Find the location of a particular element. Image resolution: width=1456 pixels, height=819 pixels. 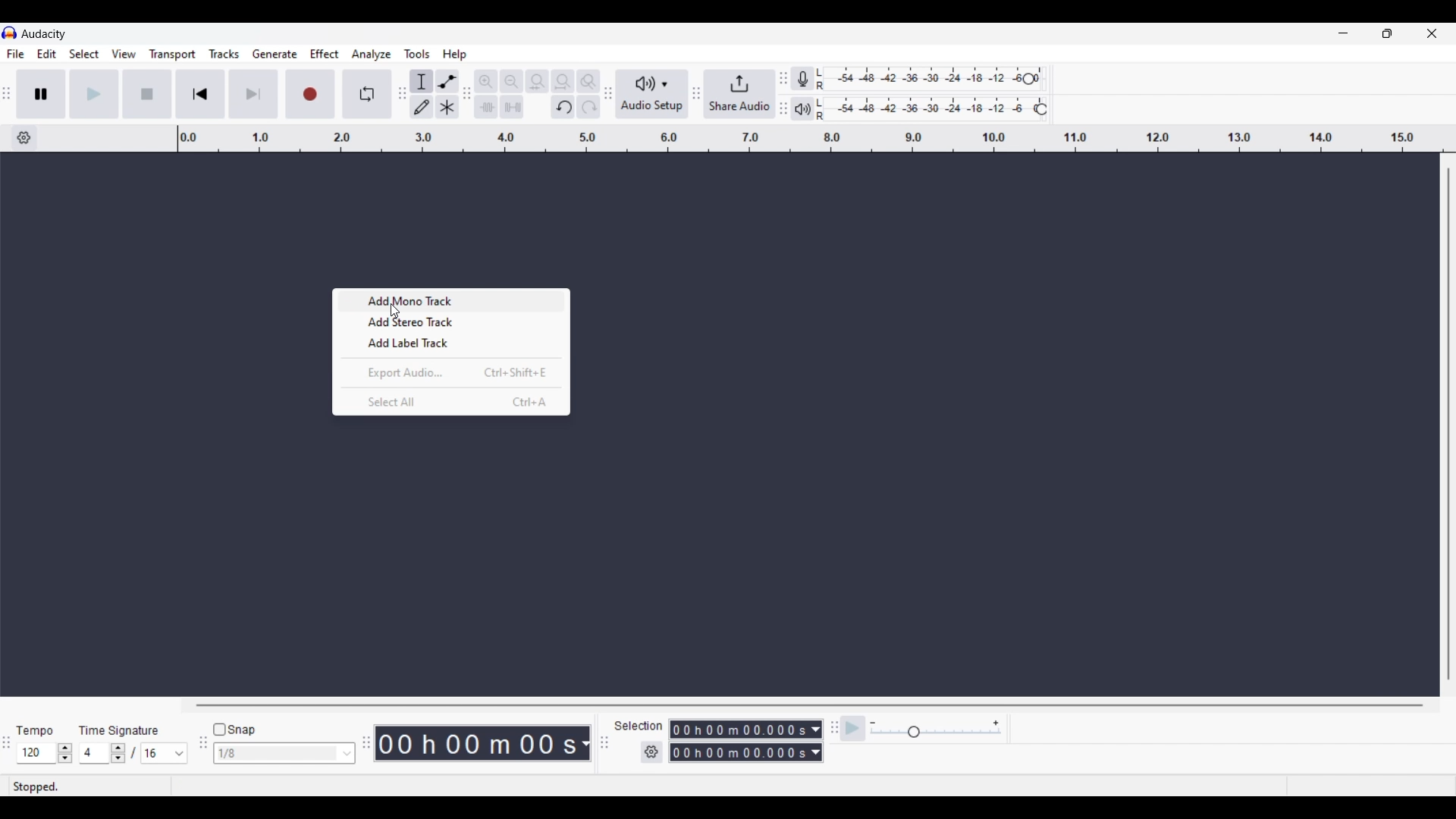

View menu is located at coordinates (124, 54).